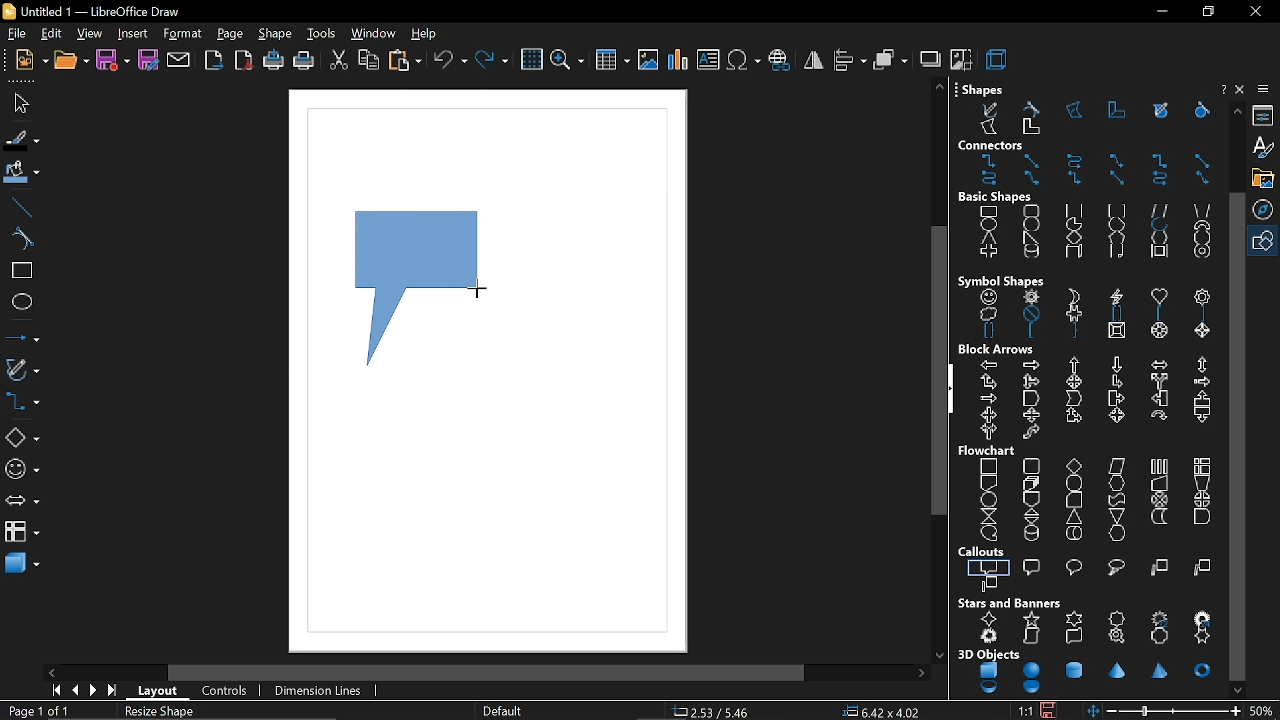  What do you see at coordinates (223, 692) in the screenshot?
I see `controls` at bounding box center [223, 692].